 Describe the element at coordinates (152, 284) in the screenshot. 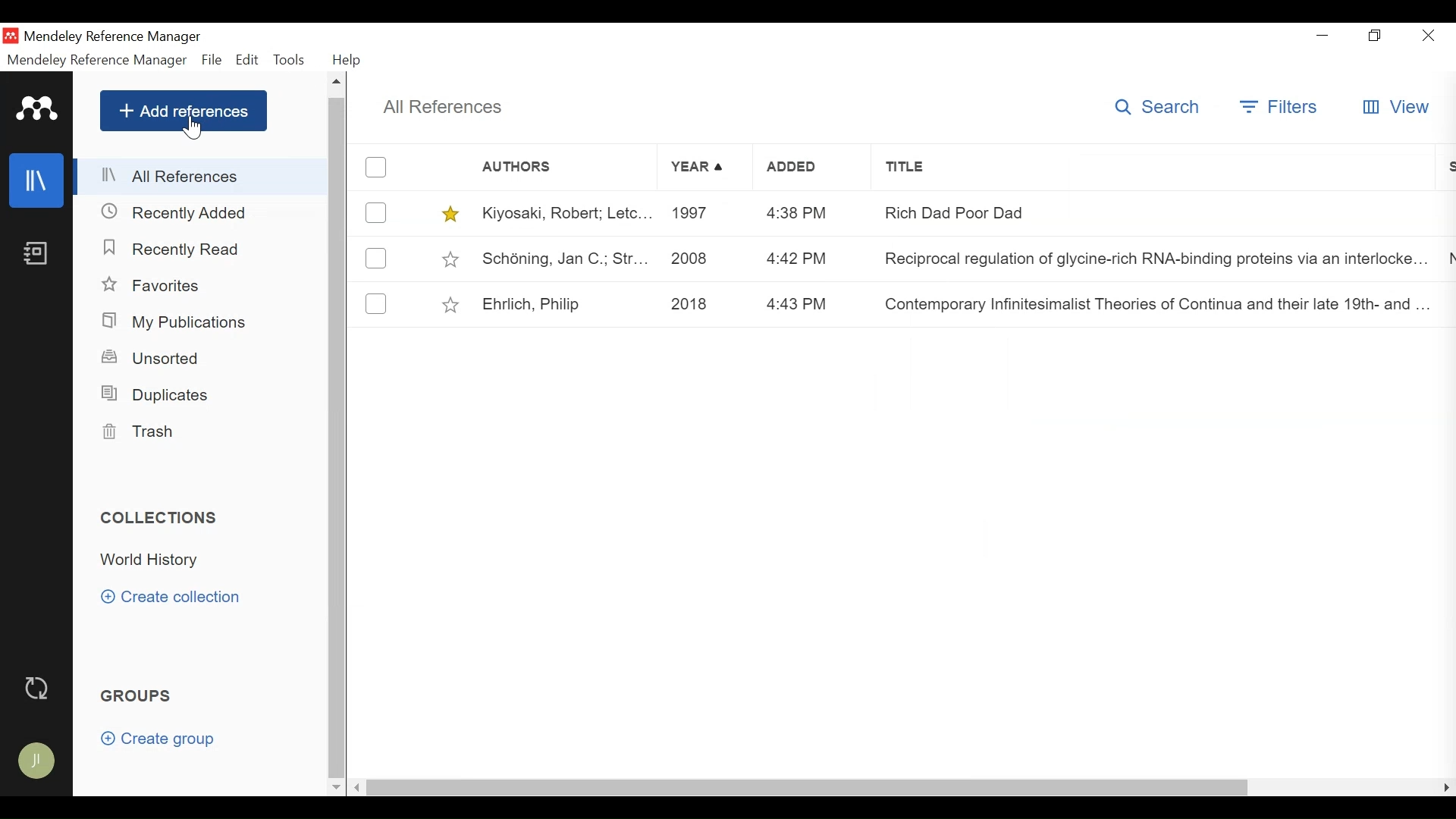

I see `Favorites` at that location.